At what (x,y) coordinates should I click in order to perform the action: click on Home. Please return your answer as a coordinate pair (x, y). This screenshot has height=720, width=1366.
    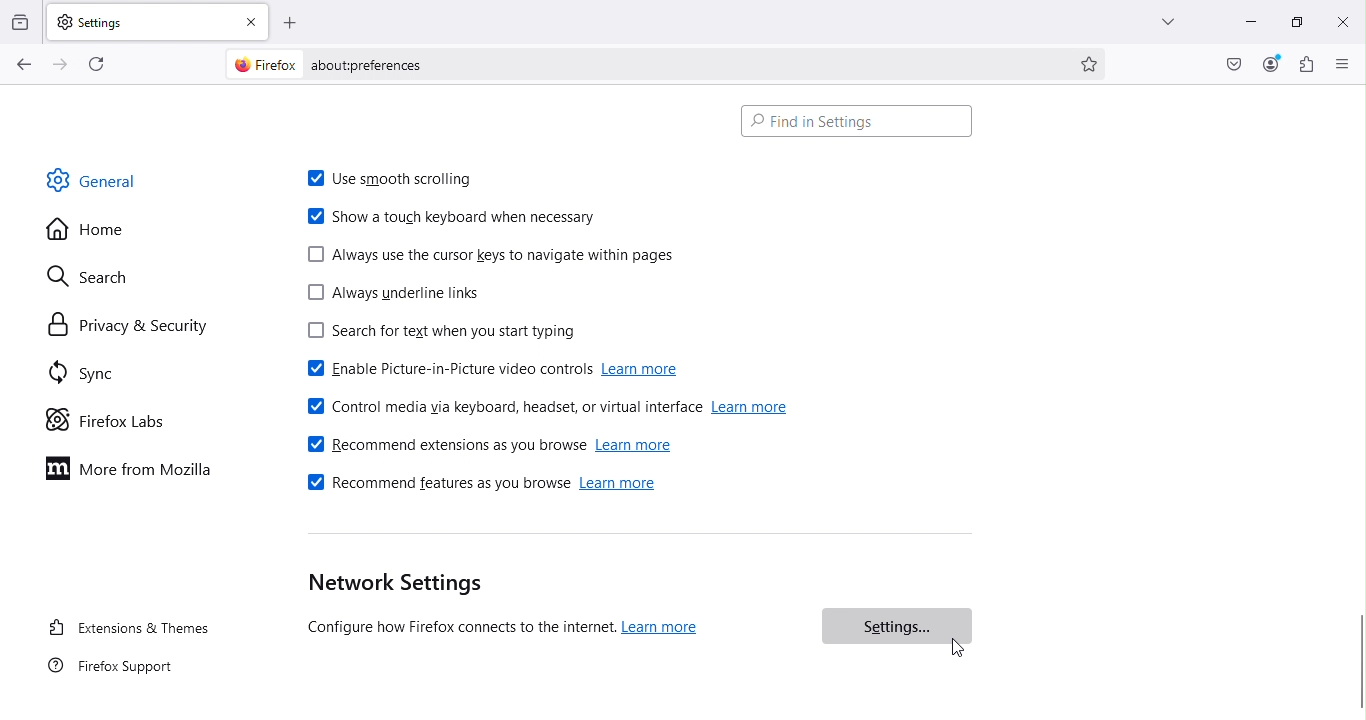
    Looking at the image, I should click on (98, 230).